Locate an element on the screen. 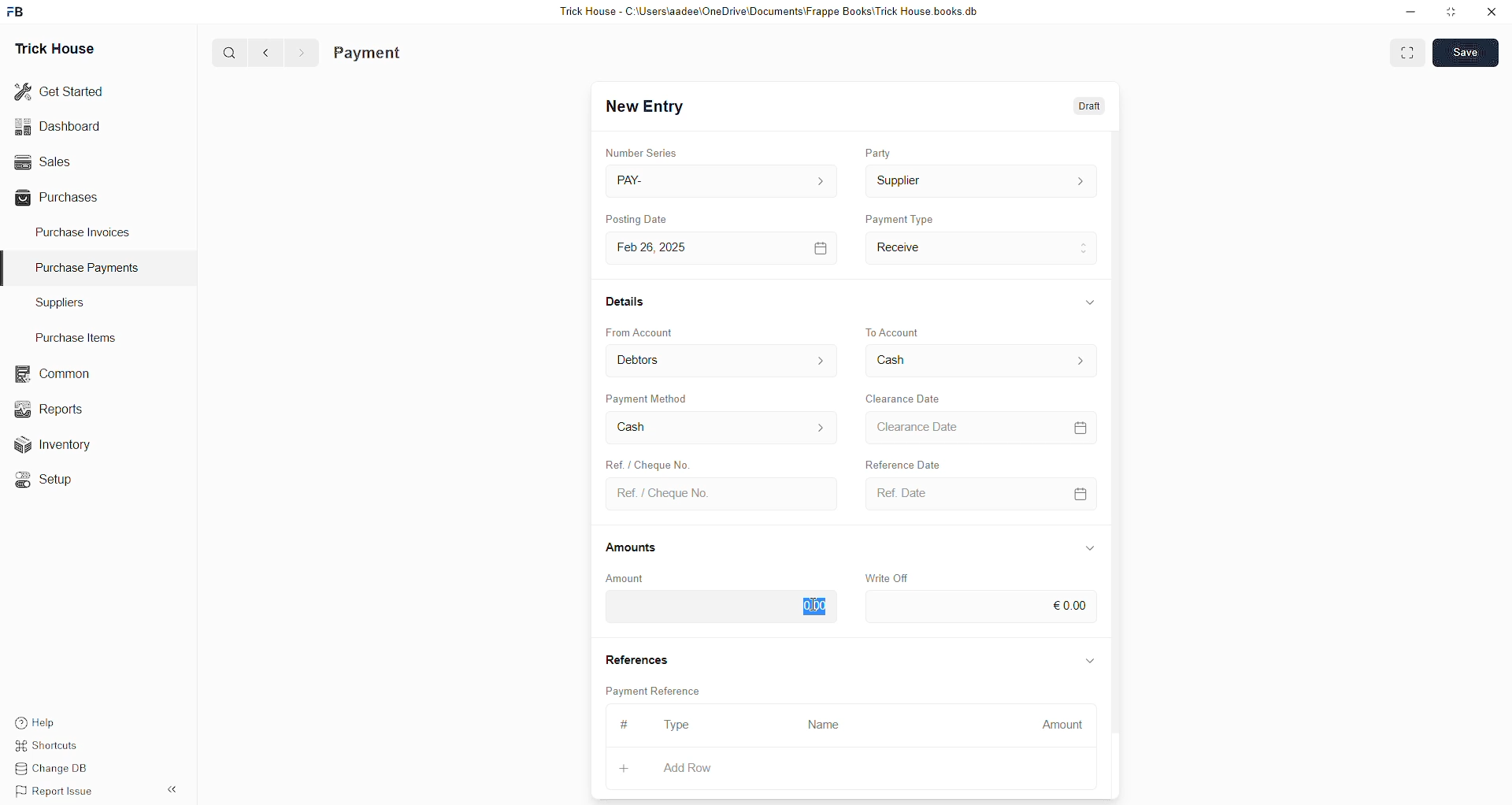 Image resolution: width=1512 pixels, height=805 pixels. References is located at coordinates (636, 658).